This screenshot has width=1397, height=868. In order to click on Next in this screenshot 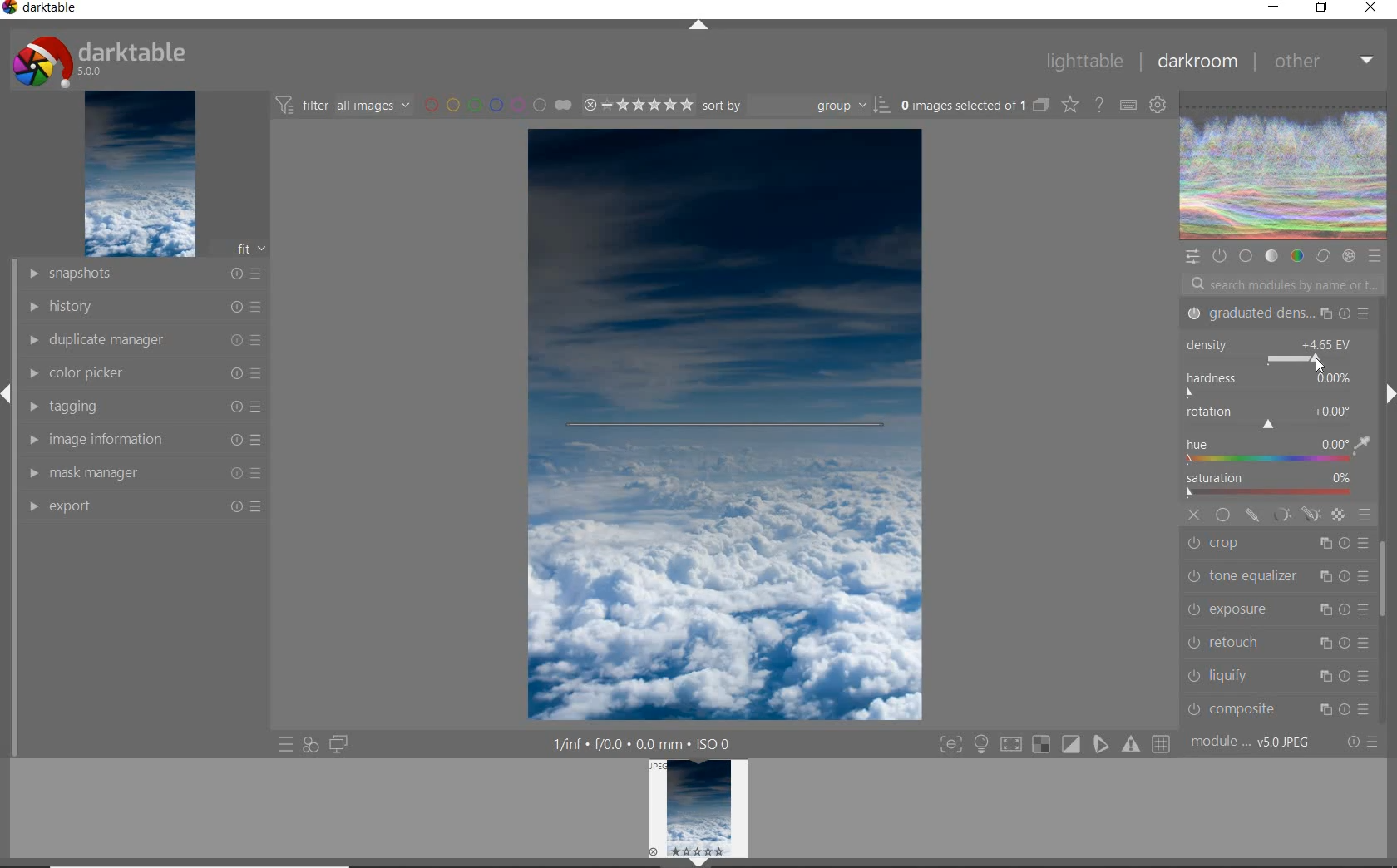, I will do `click(1389, 394)`.